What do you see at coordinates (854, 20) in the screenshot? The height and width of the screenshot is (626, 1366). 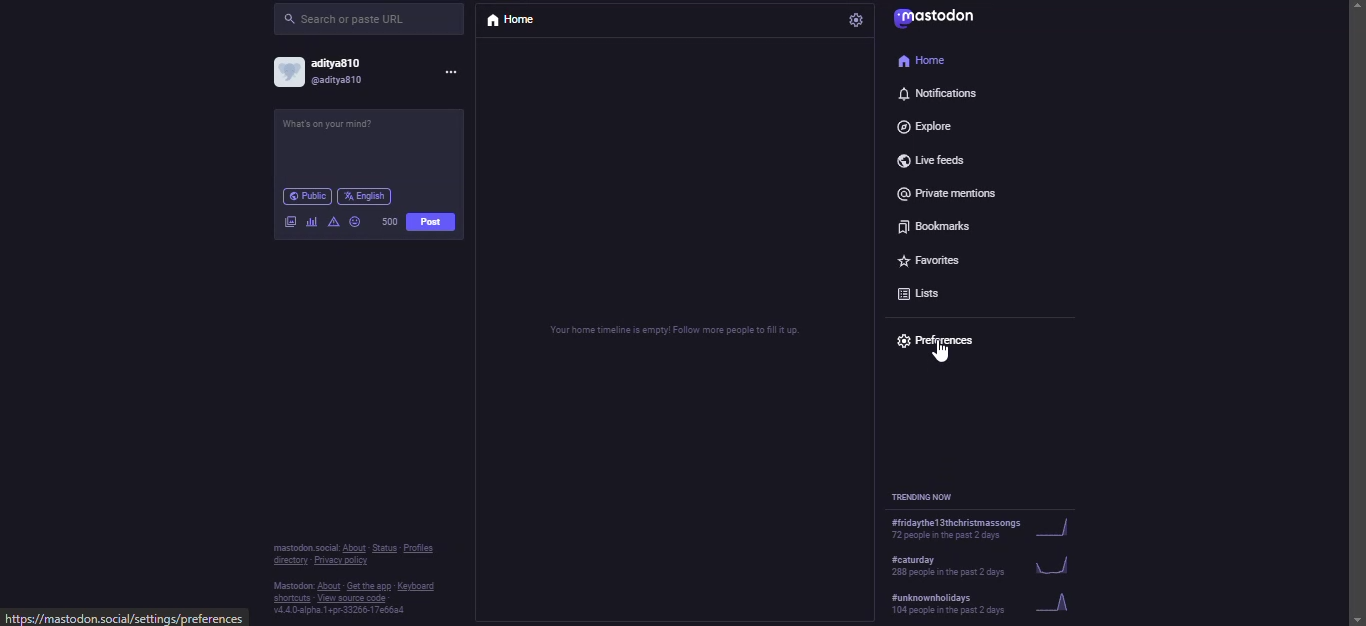 I see `settings` at bounding box center [854, 20].